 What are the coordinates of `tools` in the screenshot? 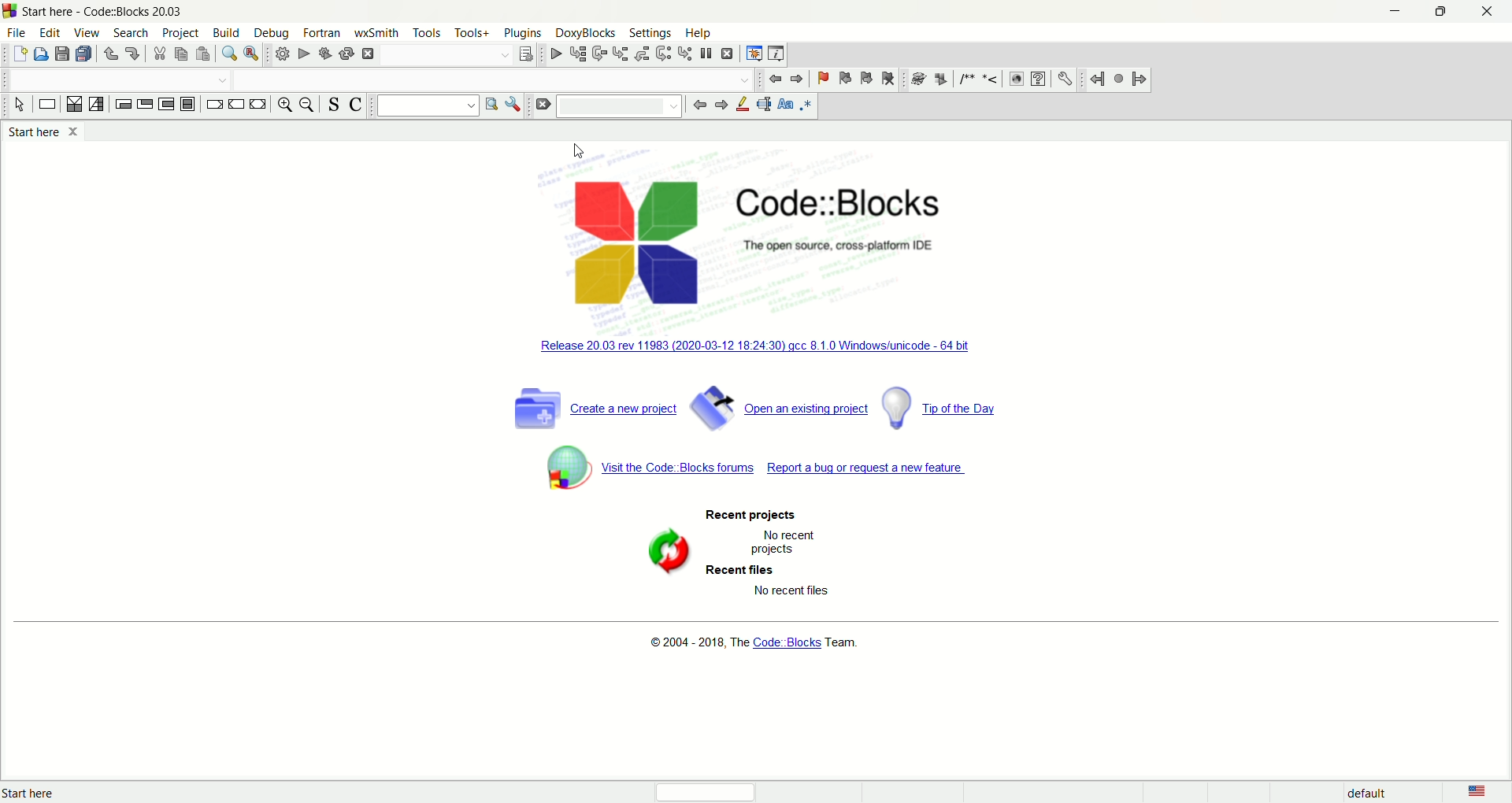 It's located at (426, 33).